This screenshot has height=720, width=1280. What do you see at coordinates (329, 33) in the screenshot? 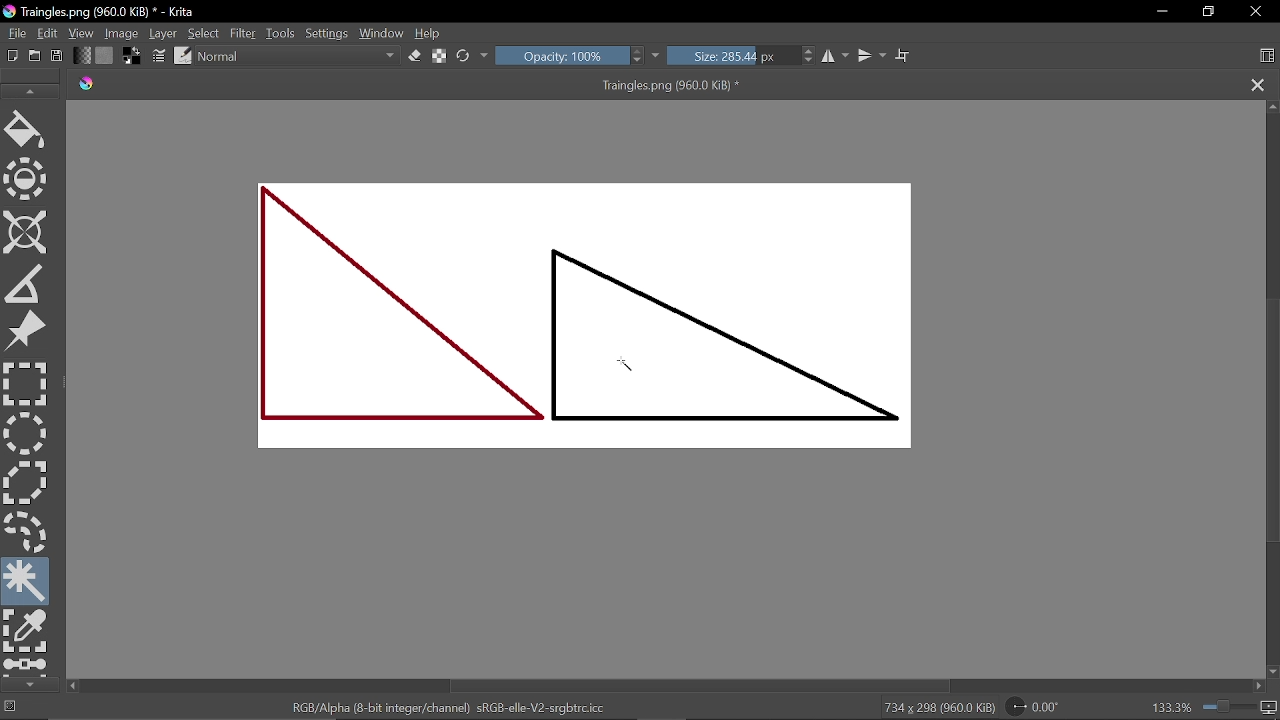
I see `Settings` at bounding box center [329, 33].